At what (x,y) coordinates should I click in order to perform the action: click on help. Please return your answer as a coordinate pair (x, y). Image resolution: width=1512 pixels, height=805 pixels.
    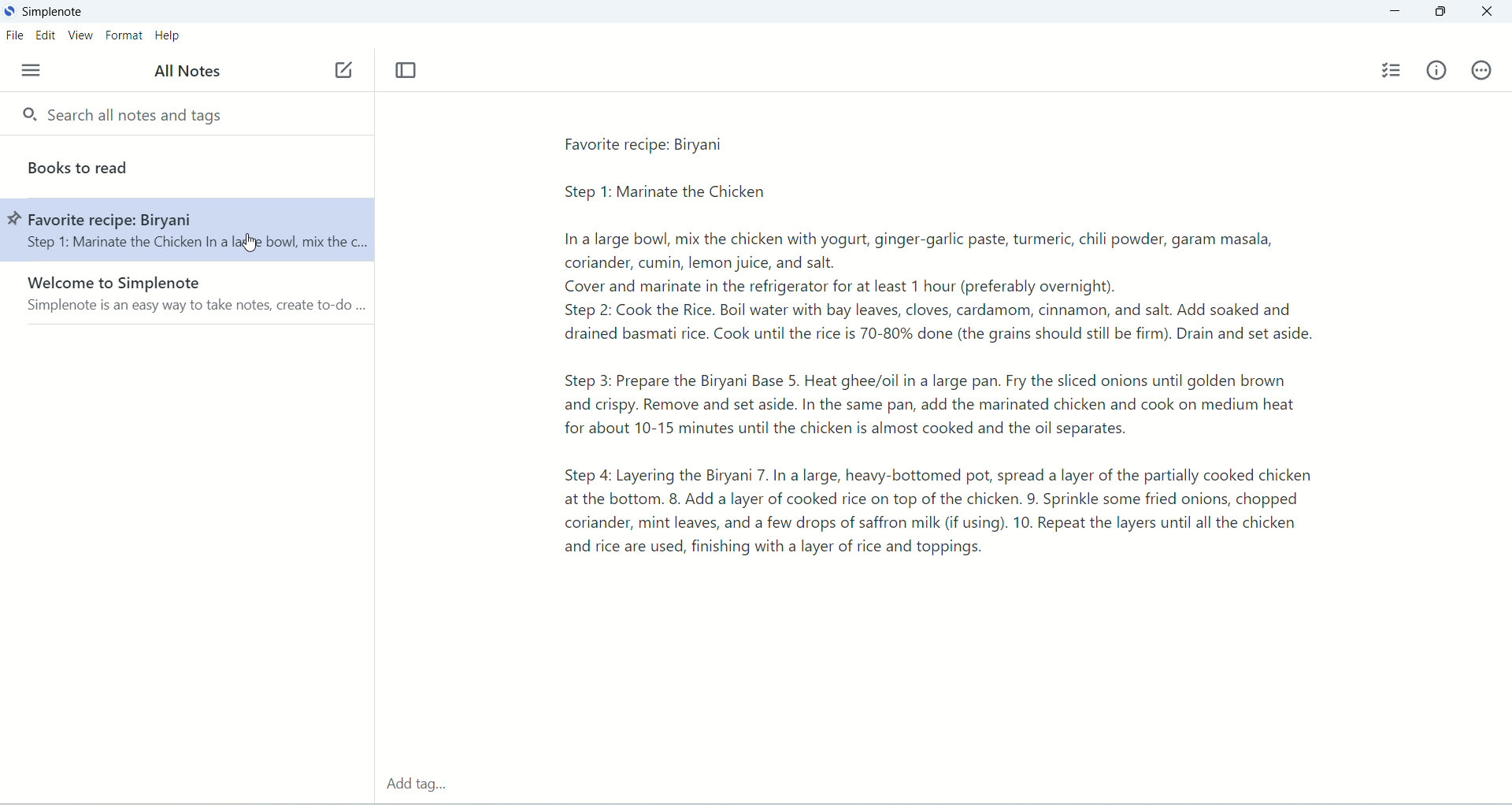
    Looking at the image, I should click on (169, 37).